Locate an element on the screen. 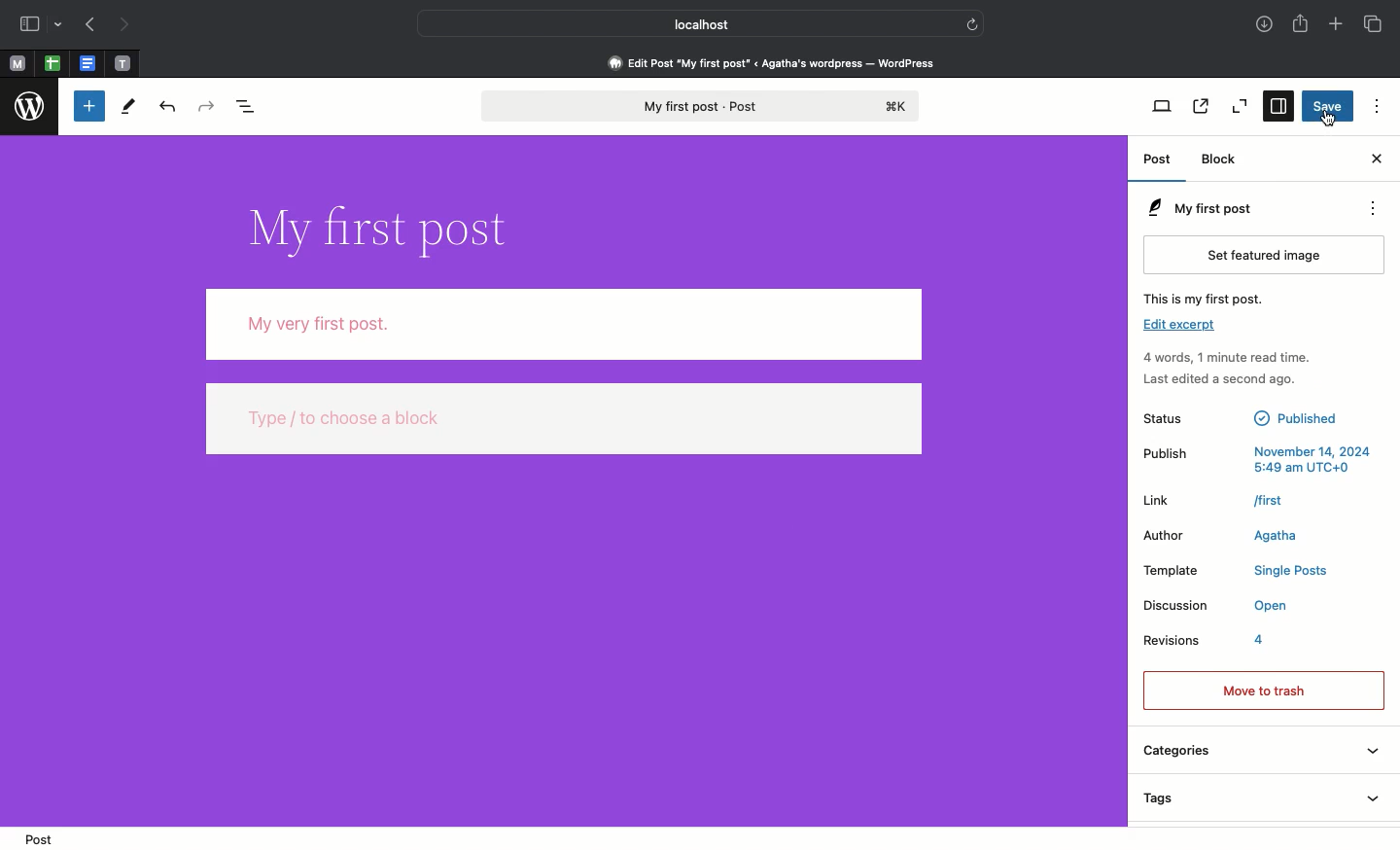  View post is located at coordinates (1199, 108).